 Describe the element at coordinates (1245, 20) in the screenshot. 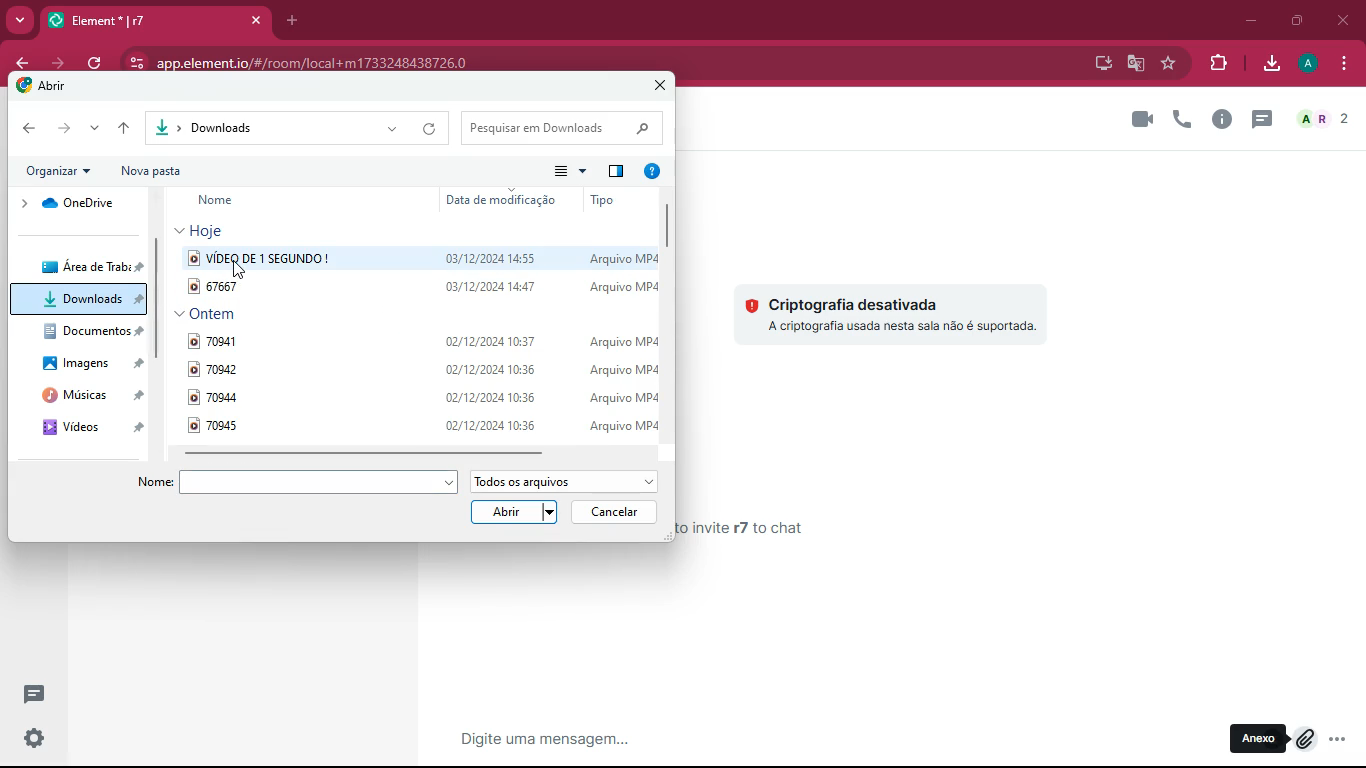

I see `minimize` at that location.